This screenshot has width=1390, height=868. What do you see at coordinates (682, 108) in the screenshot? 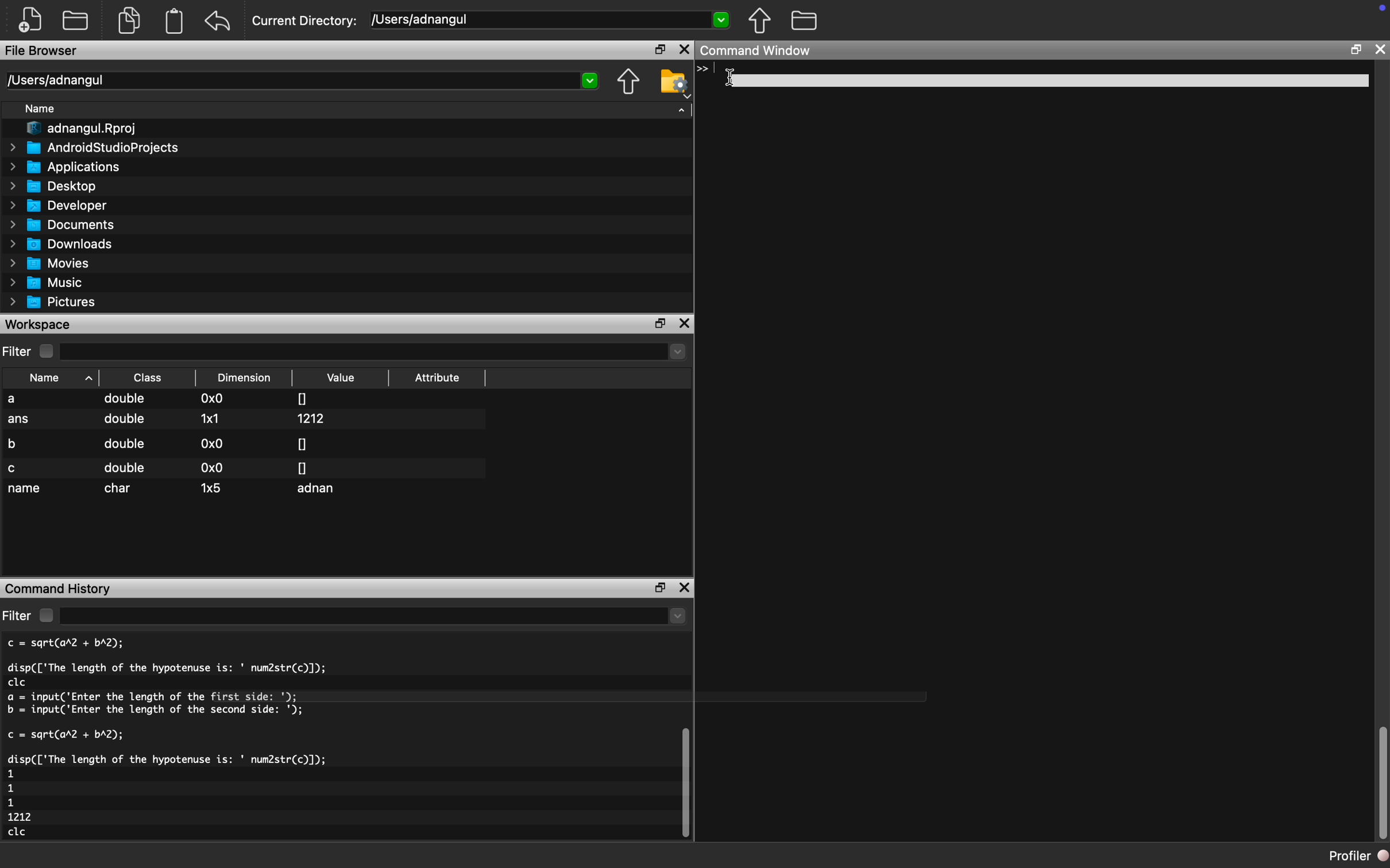
I see `dropdown` at bounding box center [682, 108].